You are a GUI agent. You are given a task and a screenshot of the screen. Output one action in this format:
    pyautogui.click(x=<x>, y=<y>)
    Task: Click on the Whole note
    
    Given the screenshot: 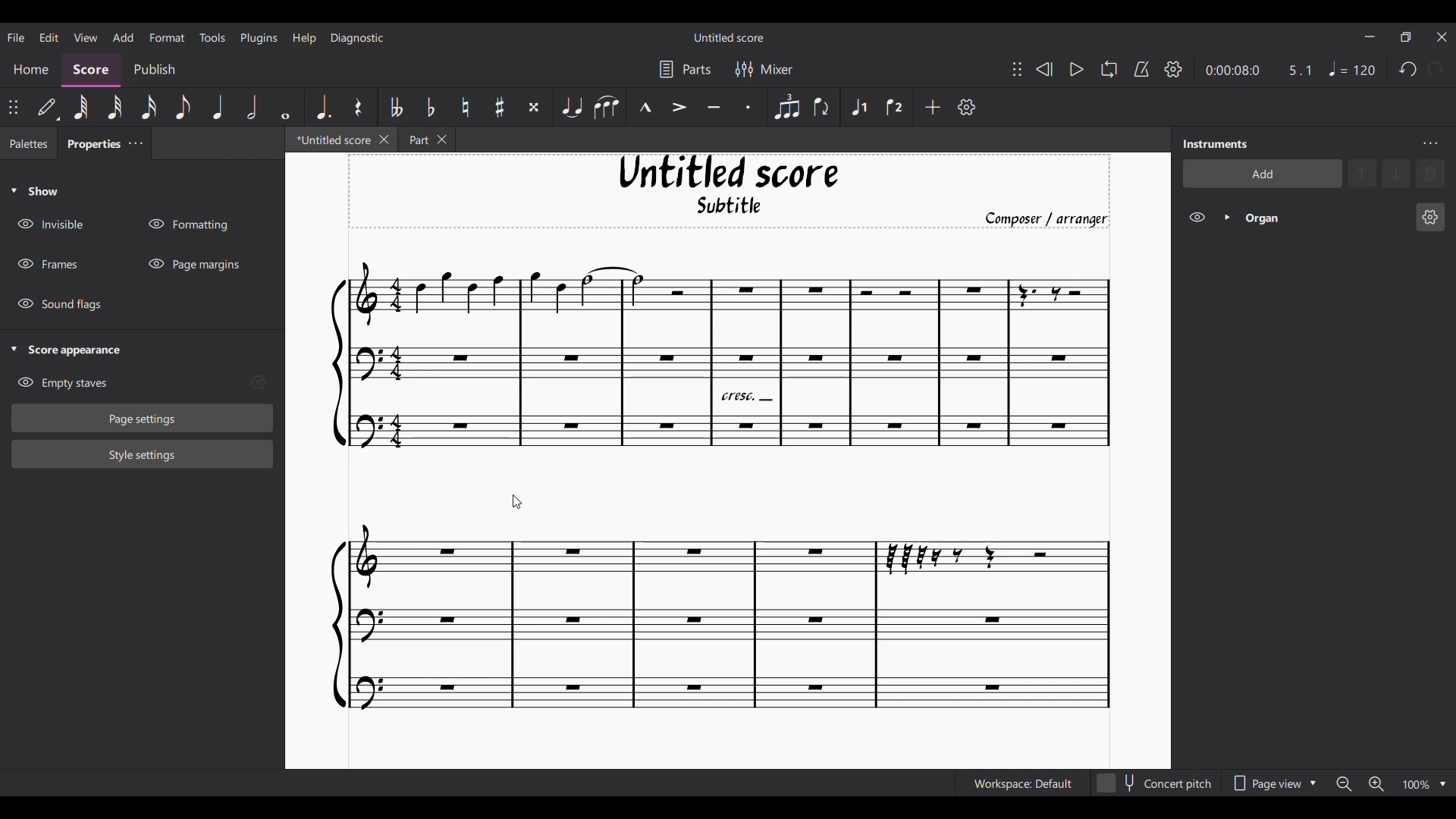 What is the action you would take?
    pyautogui.click(x=287, y=106)
    